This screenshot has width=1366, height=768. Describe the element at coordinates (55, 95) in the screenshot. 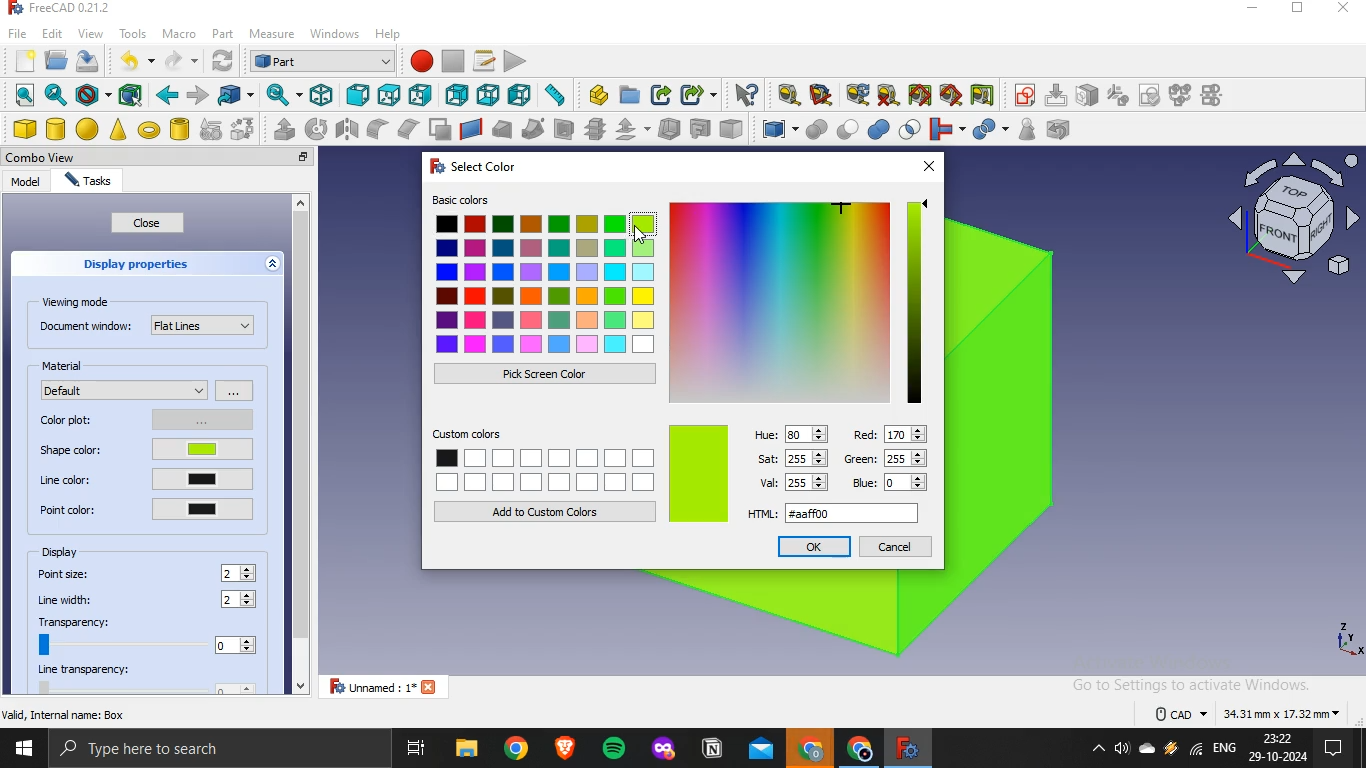

I see `fit selection` at that location.